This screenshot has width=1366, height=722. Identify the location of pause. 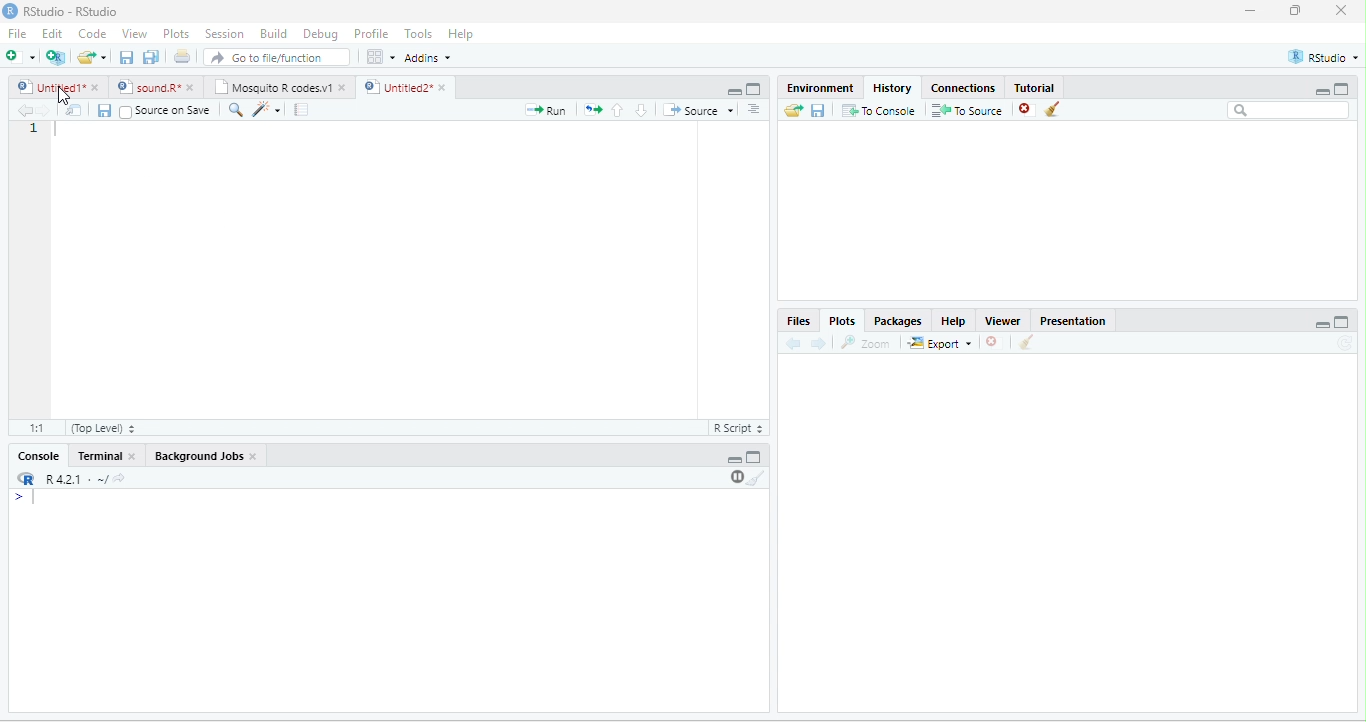
(735, 477).